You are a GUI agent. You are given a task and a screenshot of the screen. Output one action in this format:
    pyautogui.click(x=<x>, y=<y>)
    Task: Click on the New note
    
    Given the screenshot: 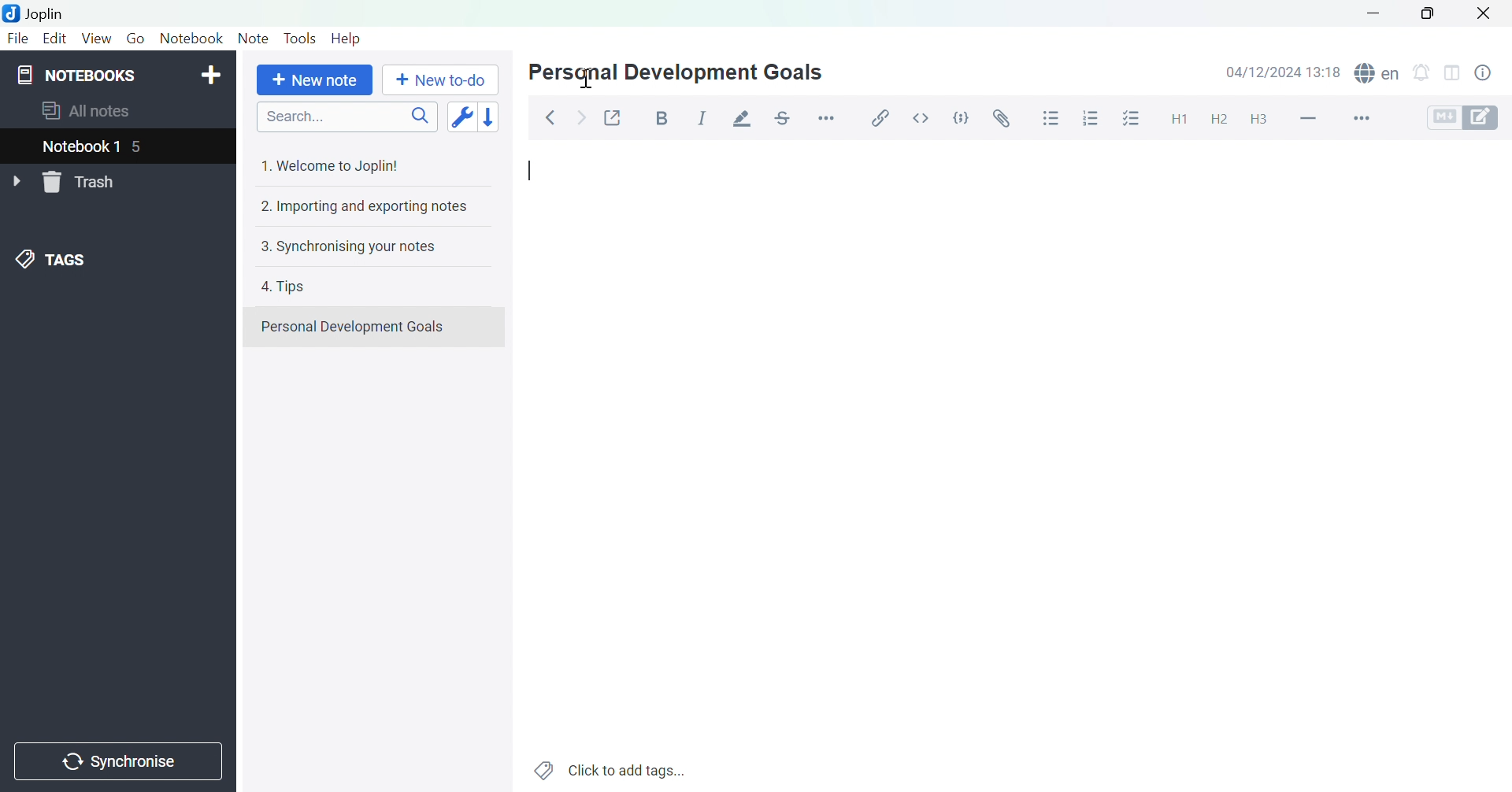 What is the action you would take?
    pyautogui.click(x=314, y=81)
    